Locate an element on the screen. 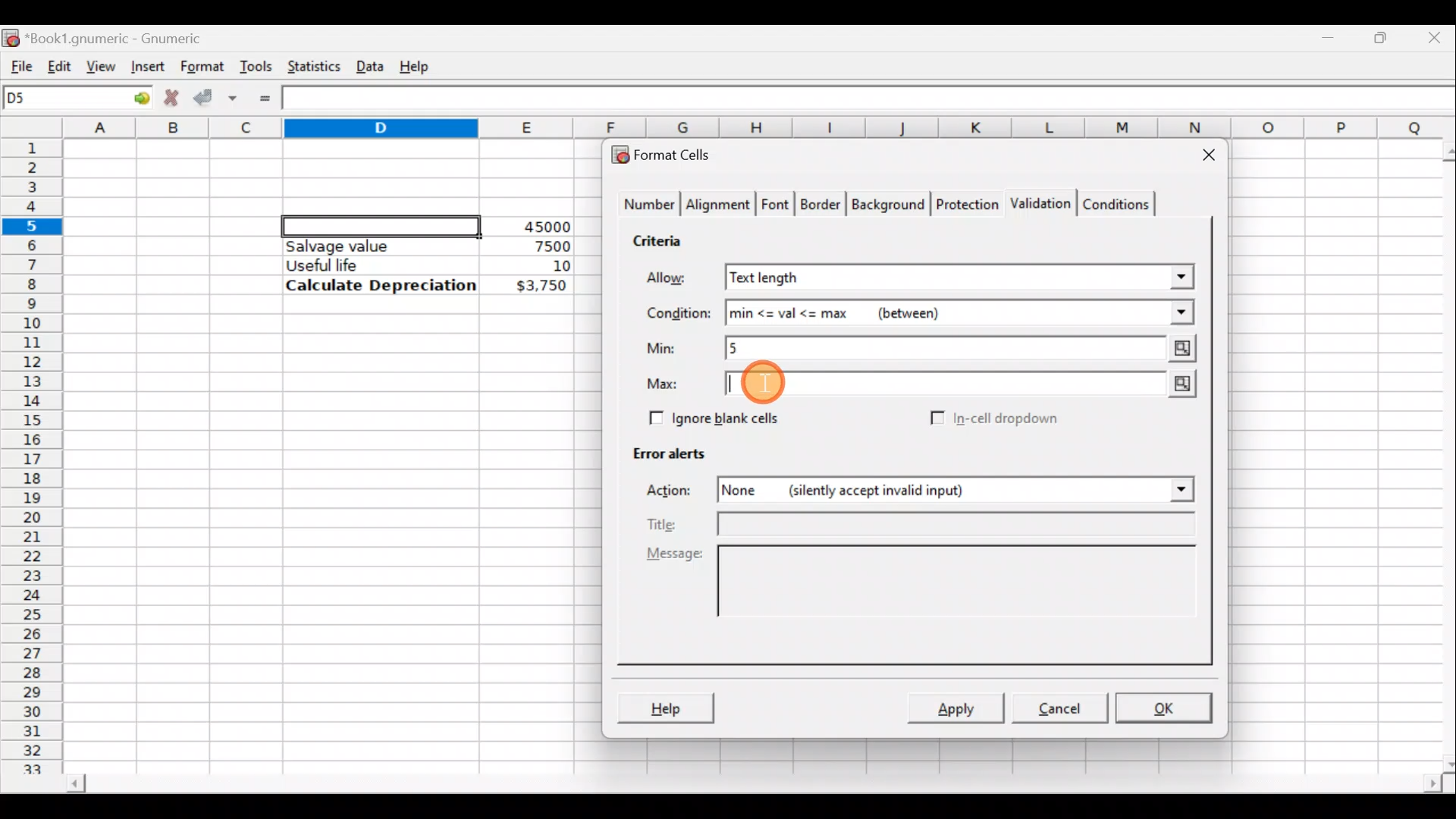 The width and height of the screenshot is (1456, 819). Criteria is located at coordinates (663, 238).